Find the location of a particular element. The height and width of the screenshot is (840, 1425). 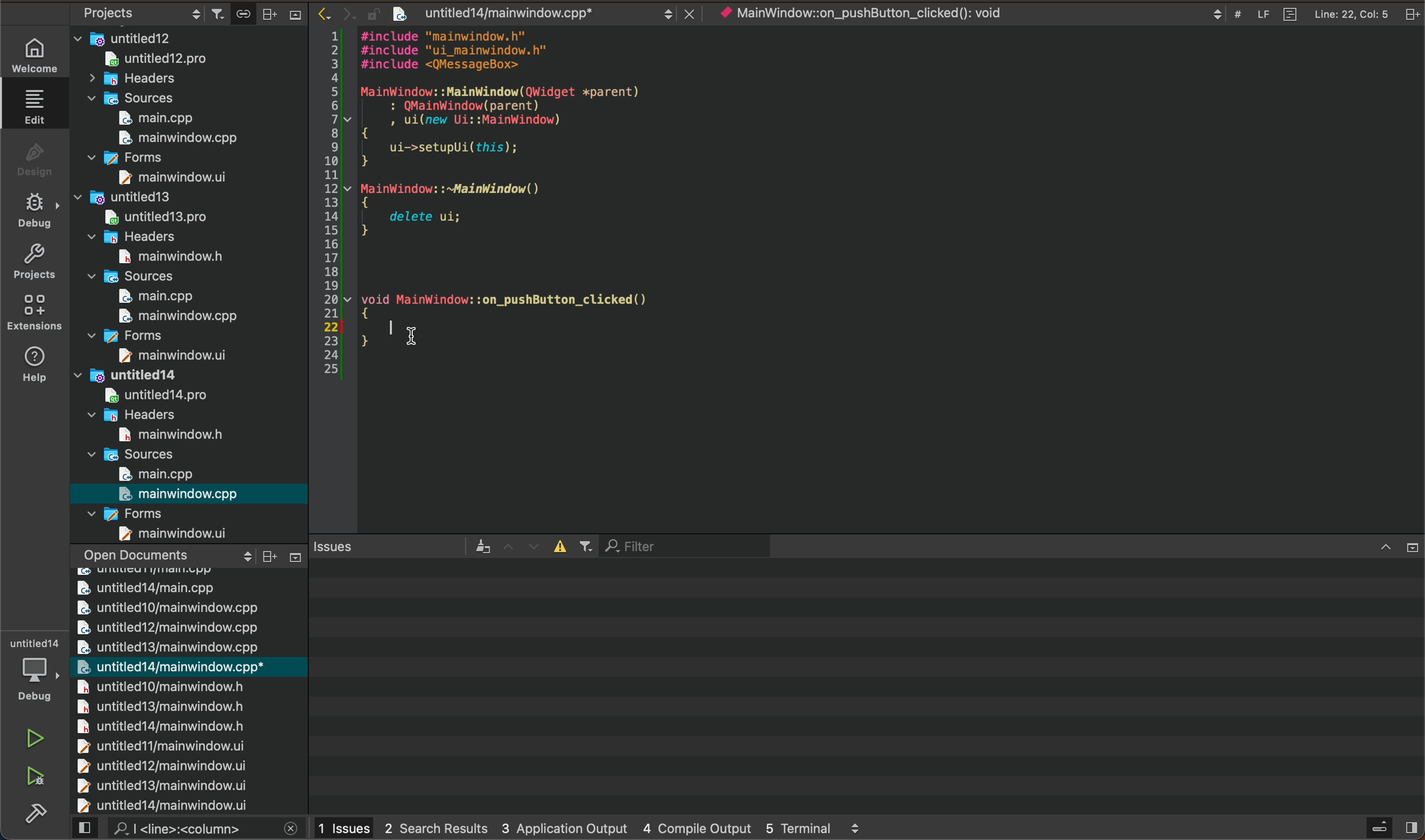

close bar is located at coordinates (280, 14).